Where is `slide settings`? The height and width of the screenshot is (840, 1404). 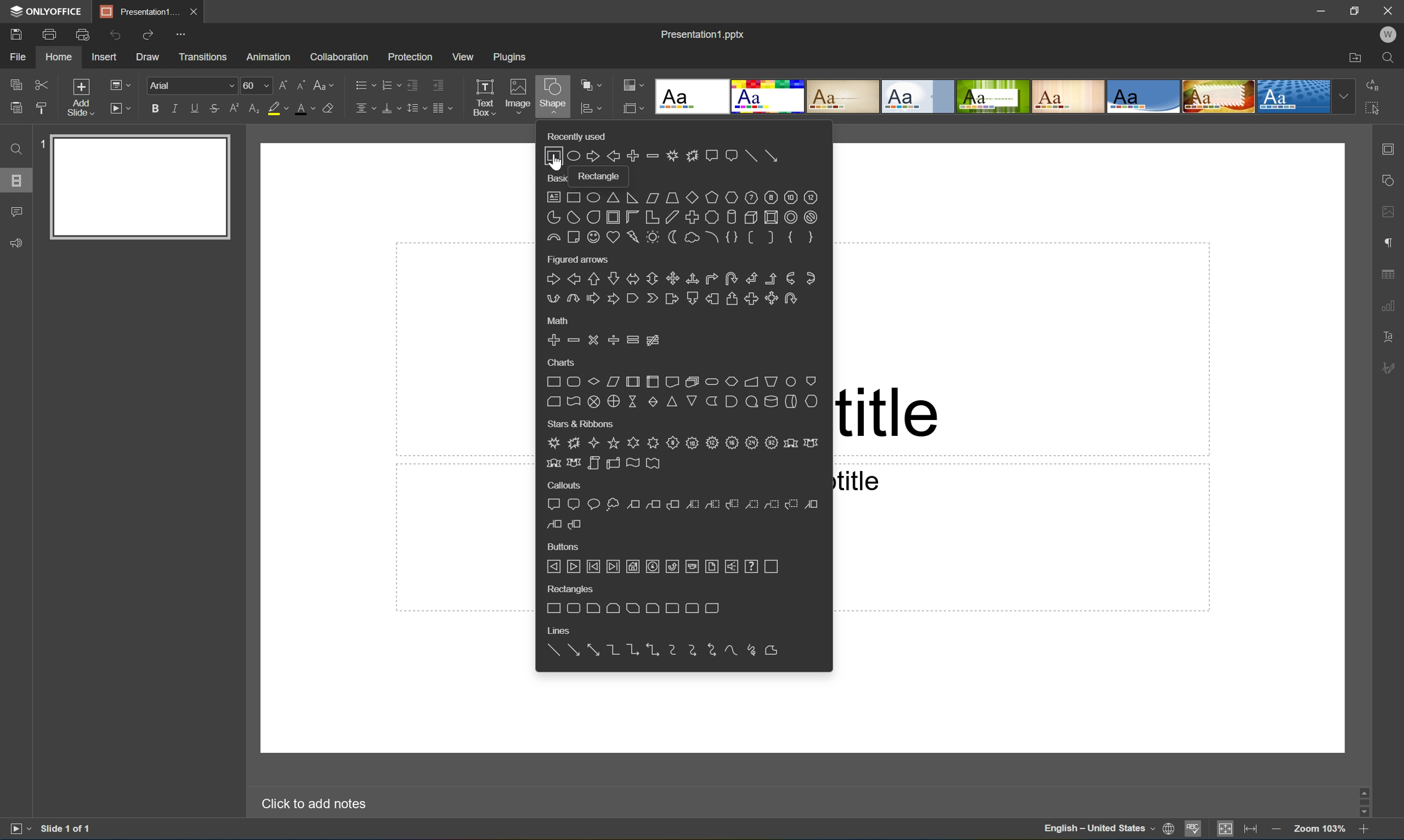 slide settings is located at coordinates (1391, 149).